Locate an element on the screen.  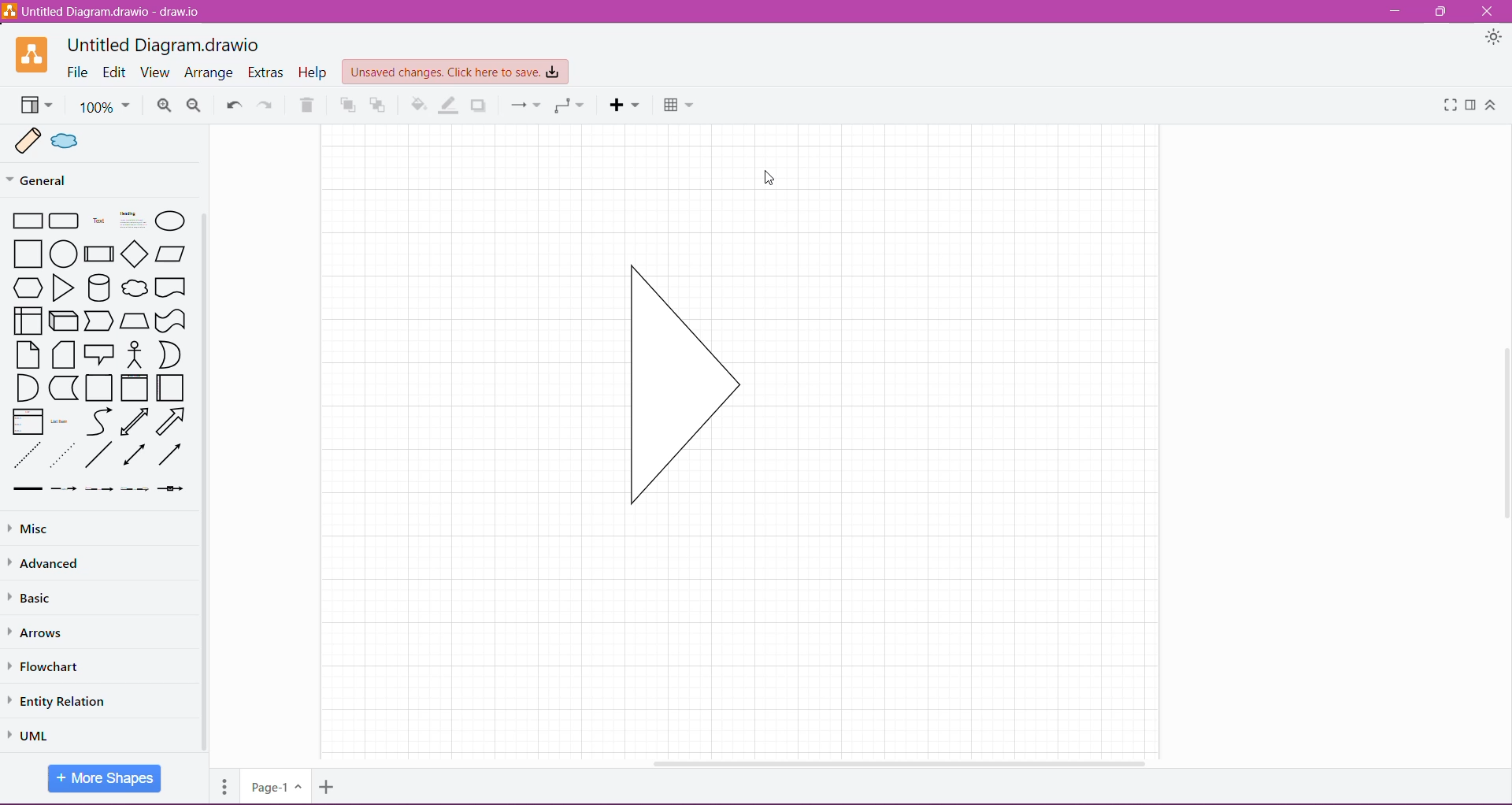
Shadow is located at coordinates (480, 106).